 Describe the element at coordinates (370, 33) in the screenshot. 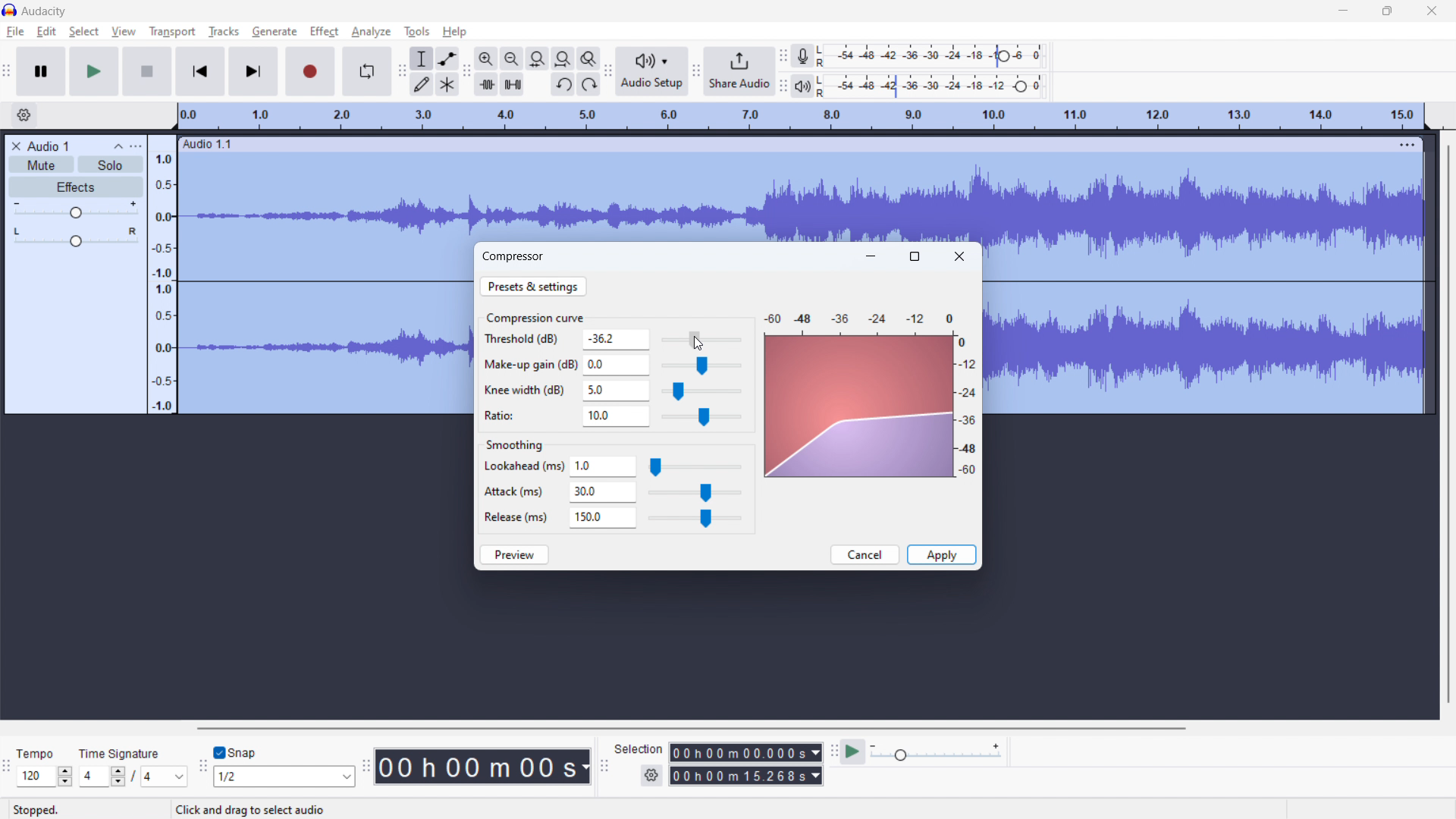

I see `analyze` at that location.